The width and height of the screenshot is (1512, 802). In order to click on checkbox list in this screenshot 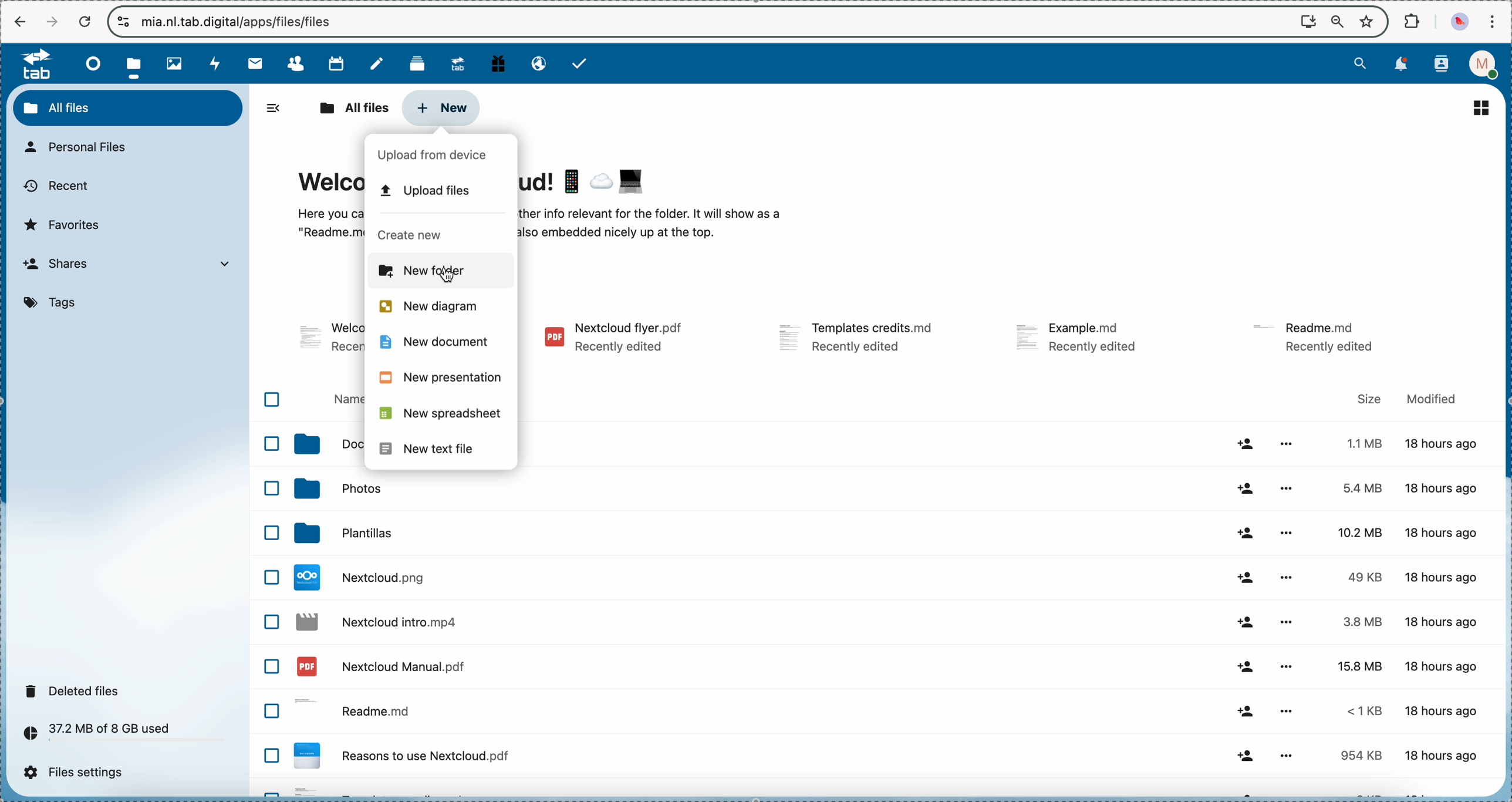, I will do `click(266, 587)`.